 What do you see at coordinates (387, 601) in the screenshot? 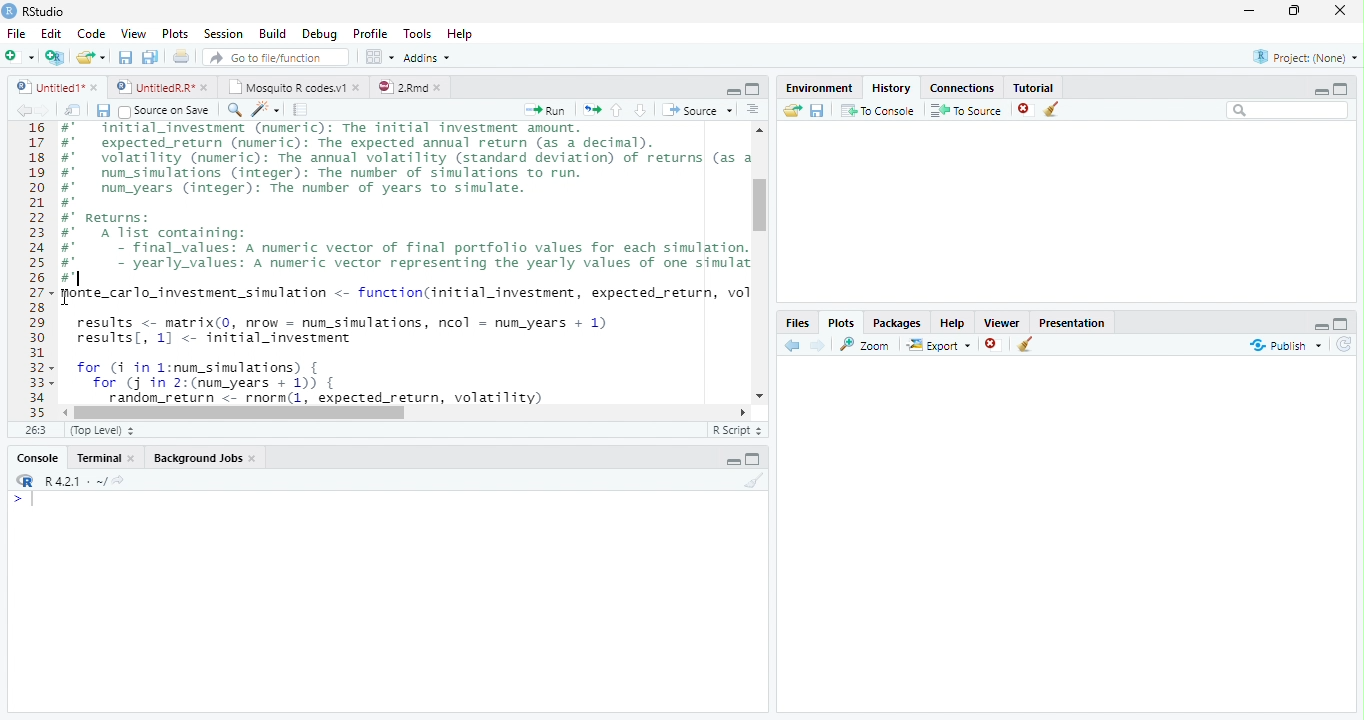
I see `Console` at bounding box center [387, 601].